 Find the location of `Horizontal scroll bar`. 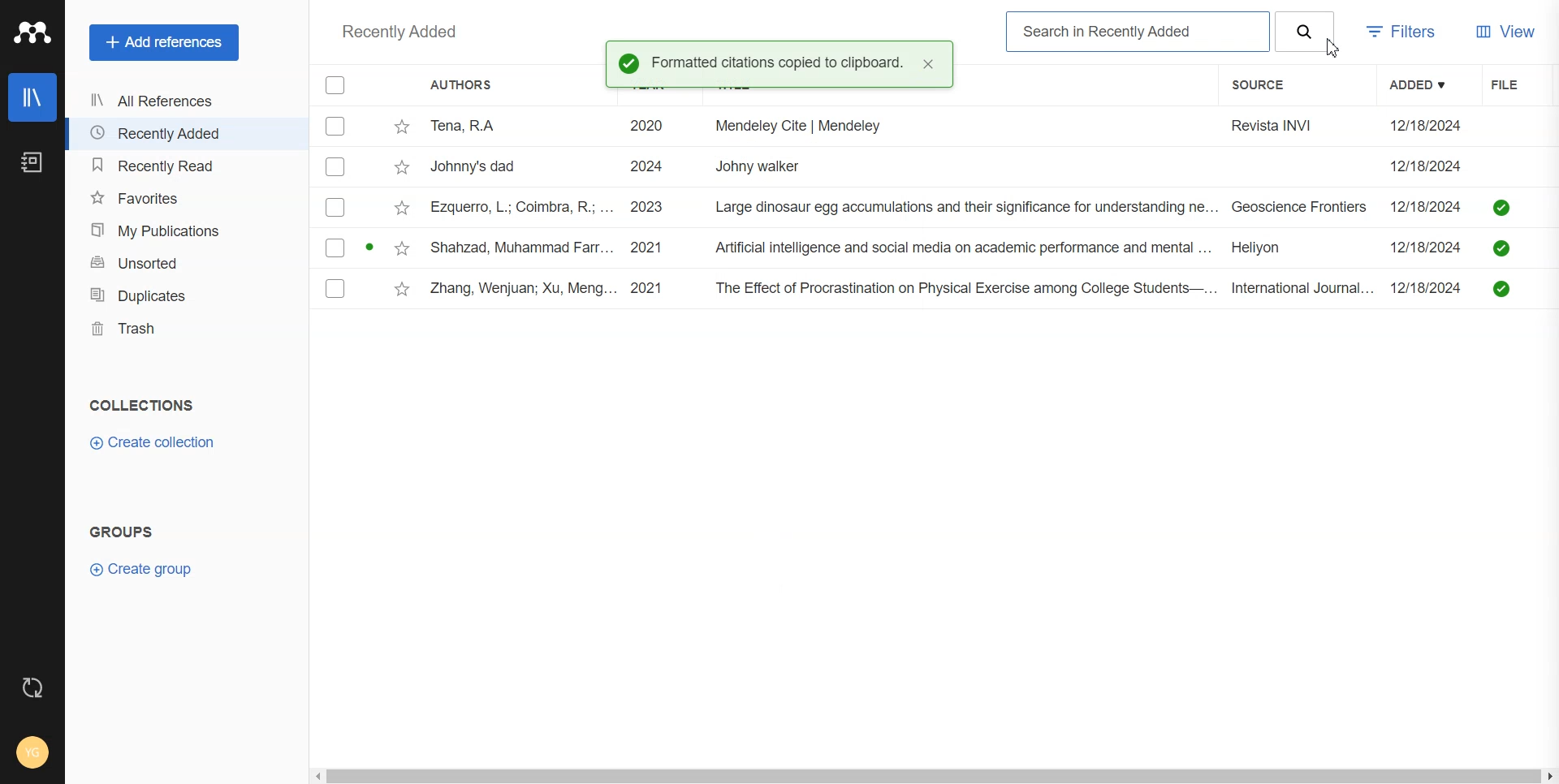

Horizontal scroll bar is located at coordinates (934, 777).